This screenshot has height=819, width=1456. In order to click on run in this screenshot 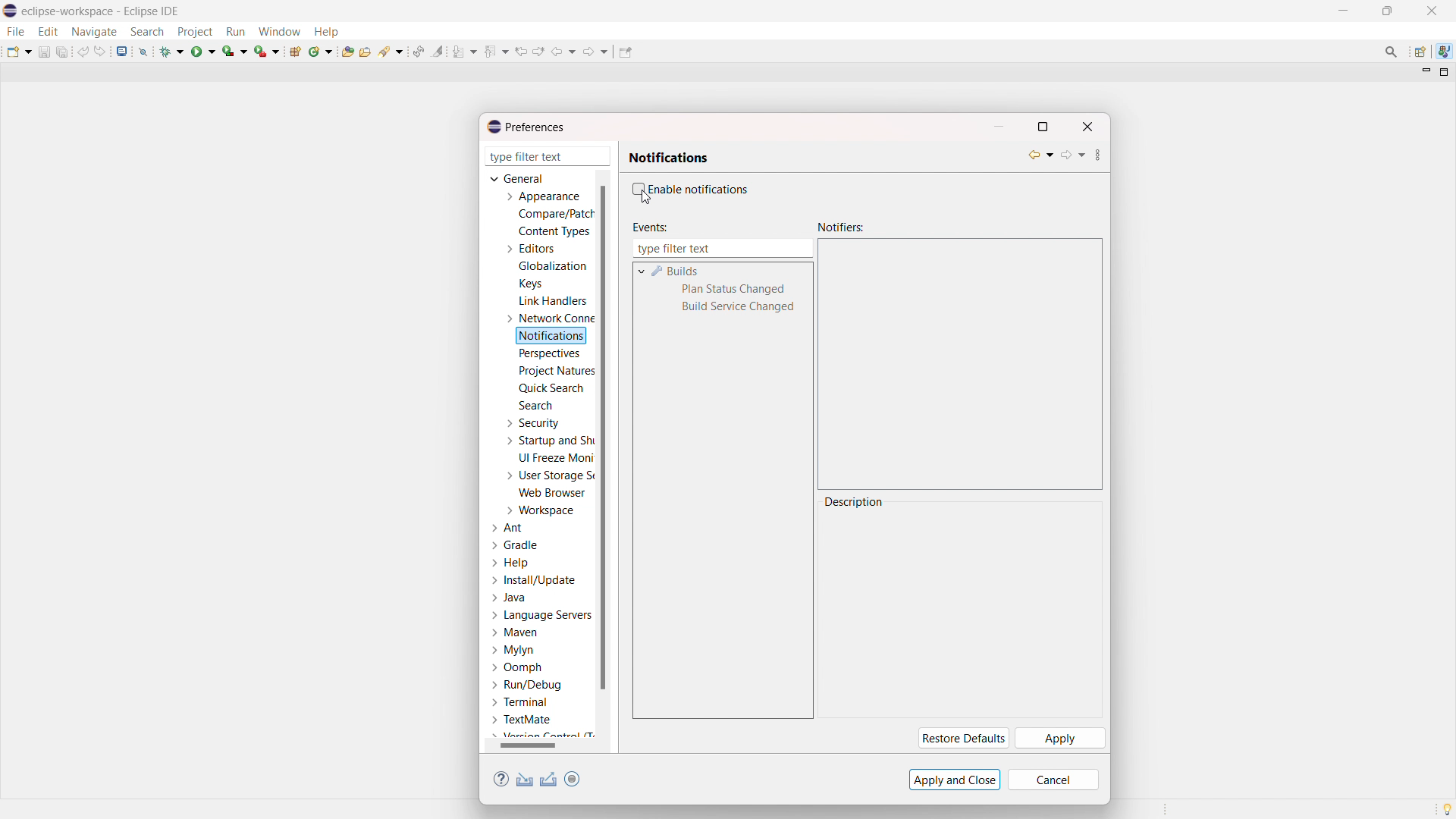, I will do `click(203, 51)`.